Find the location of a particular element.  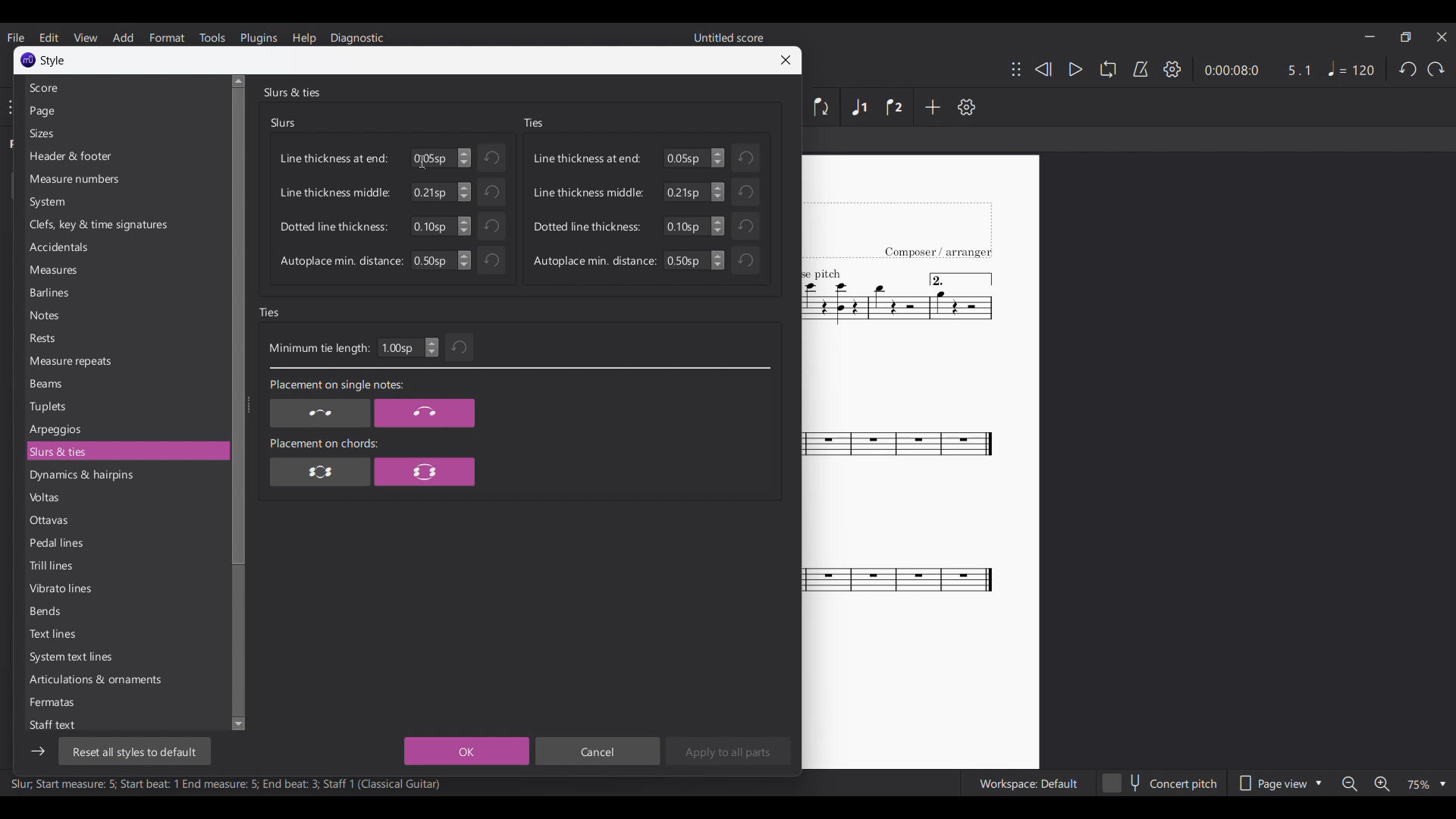

Show/Hide side bar is located at coordinates (38, 752).